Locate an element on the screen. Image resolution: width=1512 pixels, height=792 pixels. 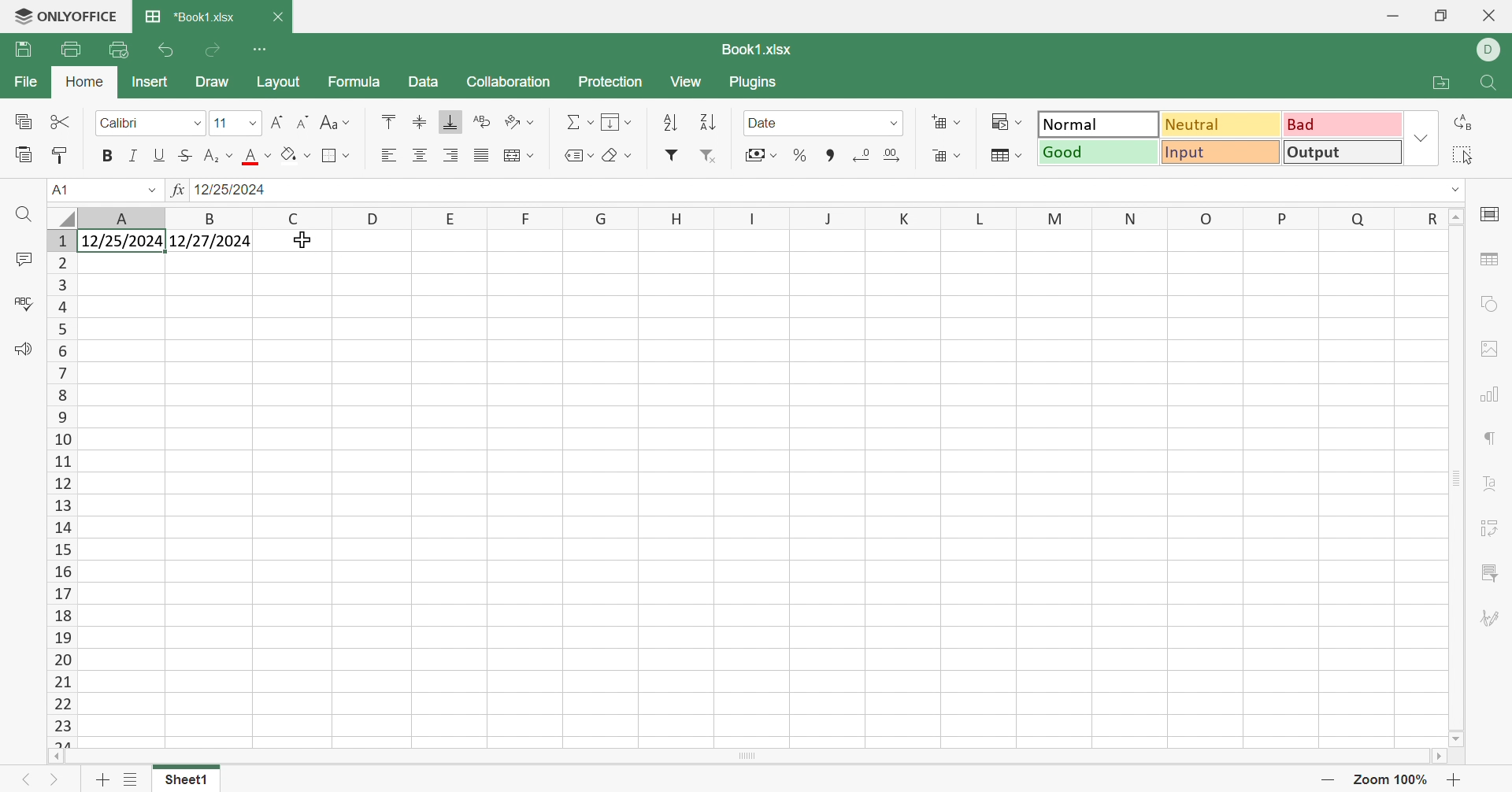
Align Bottom is located at coordinates (450, 123).